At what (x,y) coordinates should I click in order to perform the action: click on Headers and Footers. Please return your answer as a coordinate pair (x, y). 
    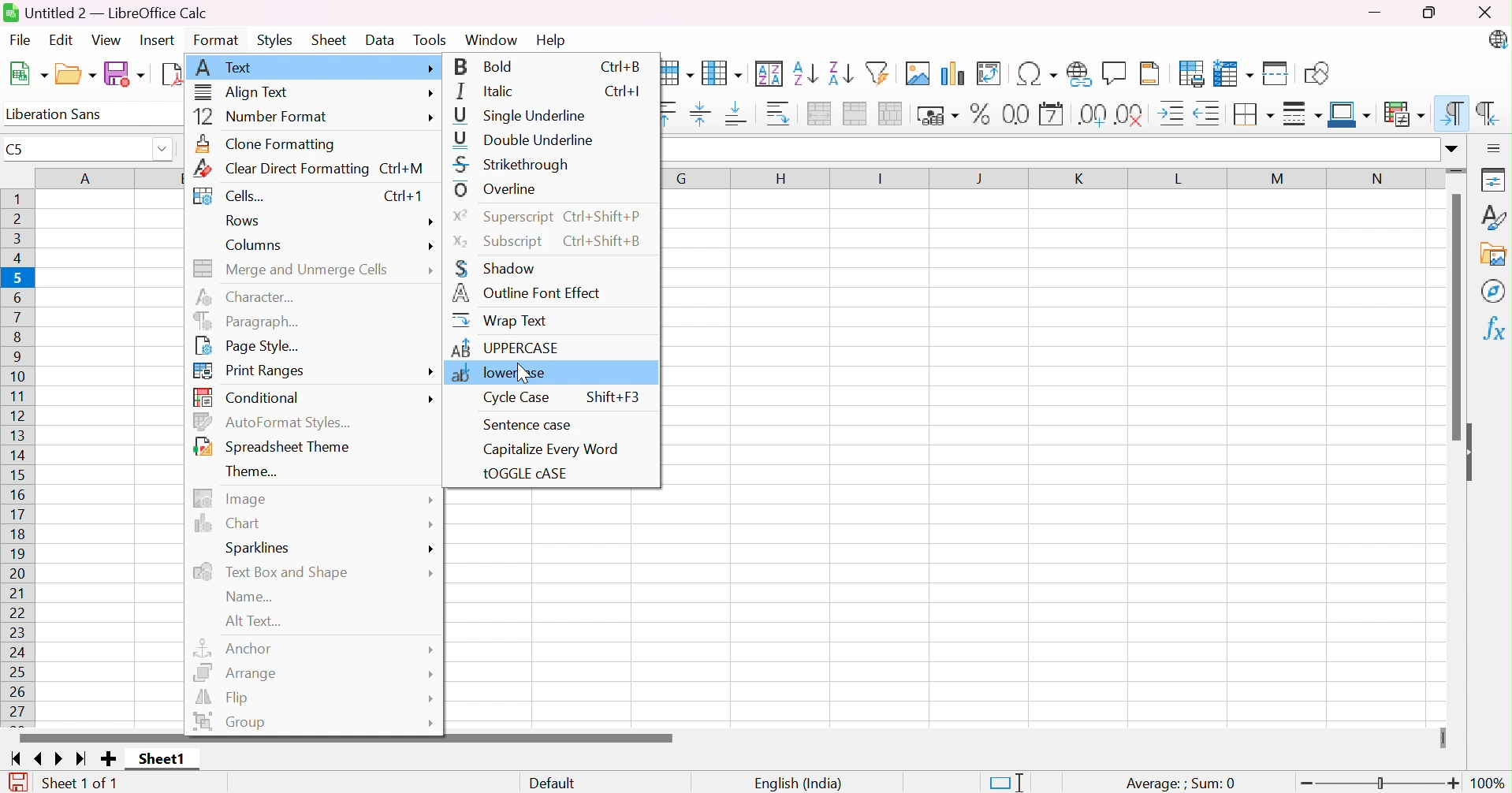
    Looking at the image, I should click on (1152, 73).